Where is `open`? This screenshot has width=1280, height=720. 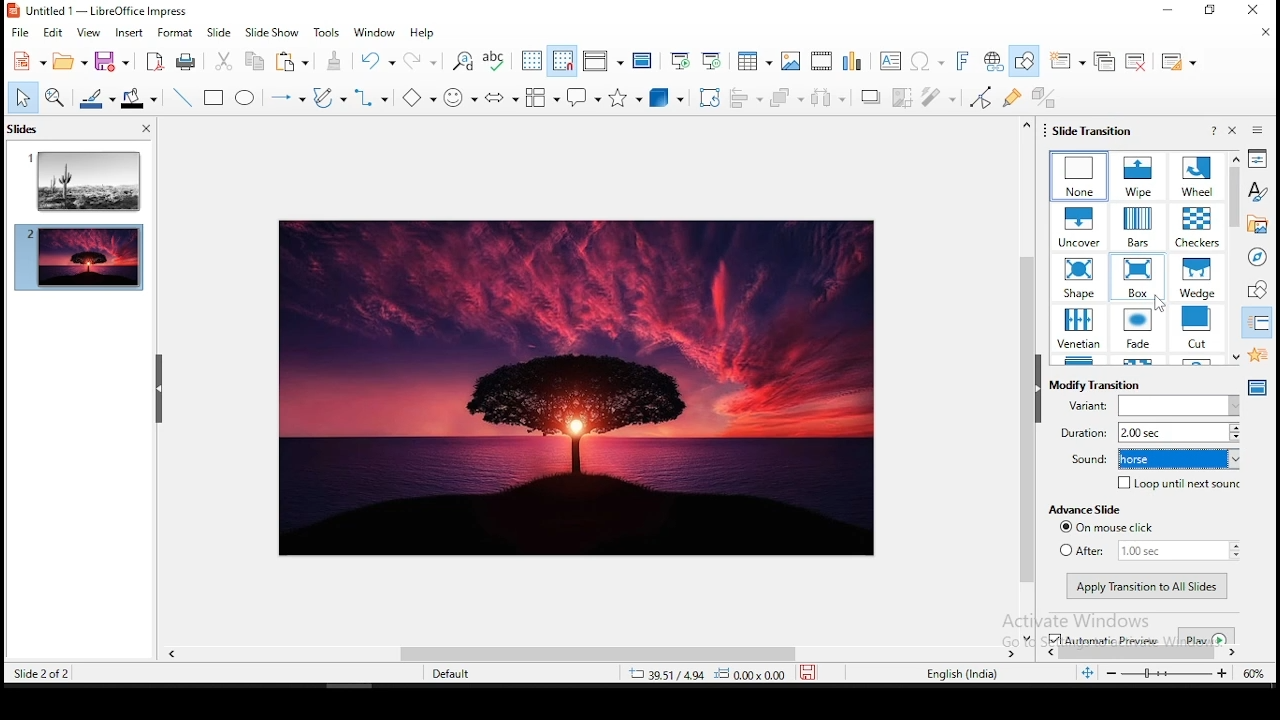 open is located at coordinates (70, 61).